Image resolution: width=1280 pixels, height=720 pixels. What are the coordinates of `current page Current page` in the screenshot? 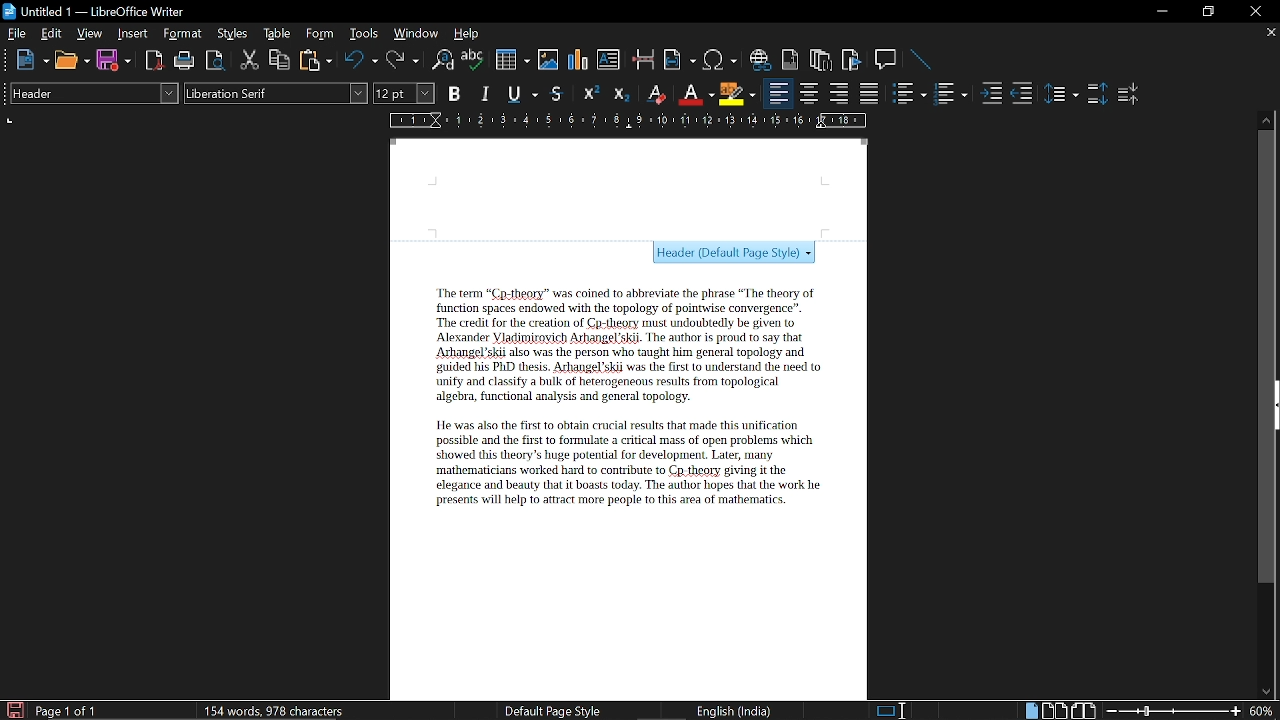 It's located at (65, 710).